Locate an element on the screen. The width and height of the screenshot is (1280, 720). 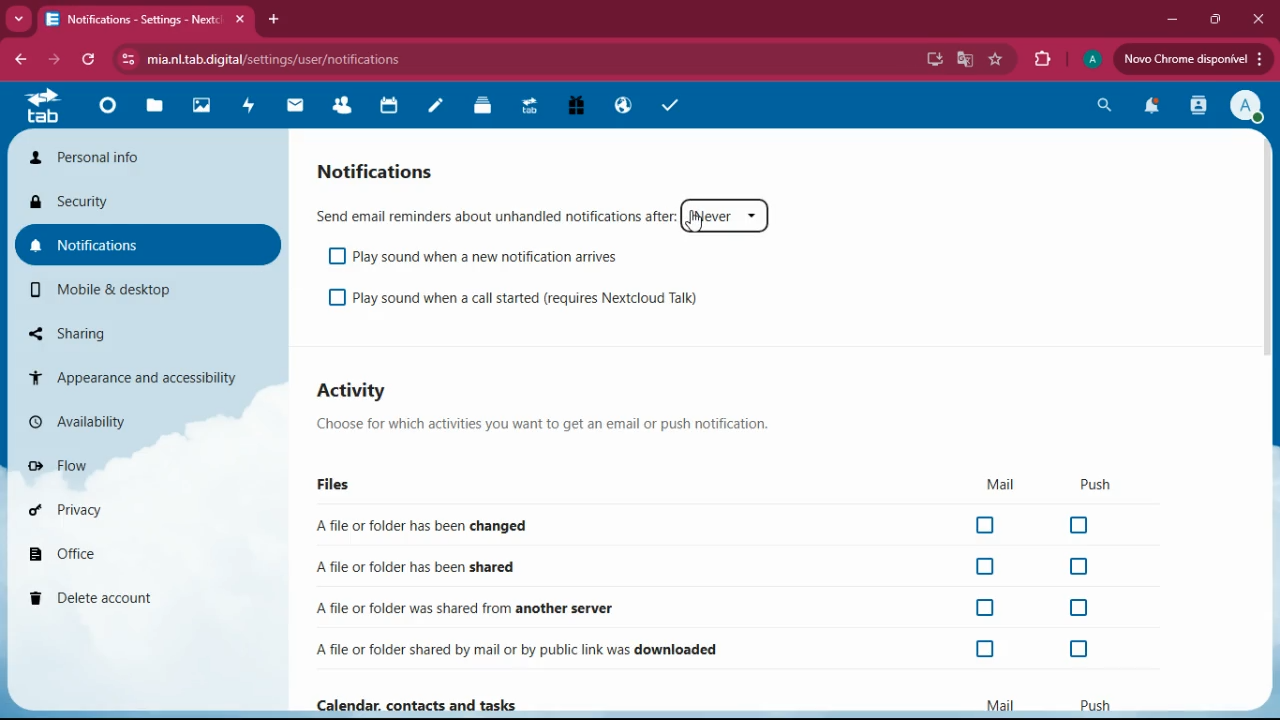
off is located at coordinates (1079, 565).